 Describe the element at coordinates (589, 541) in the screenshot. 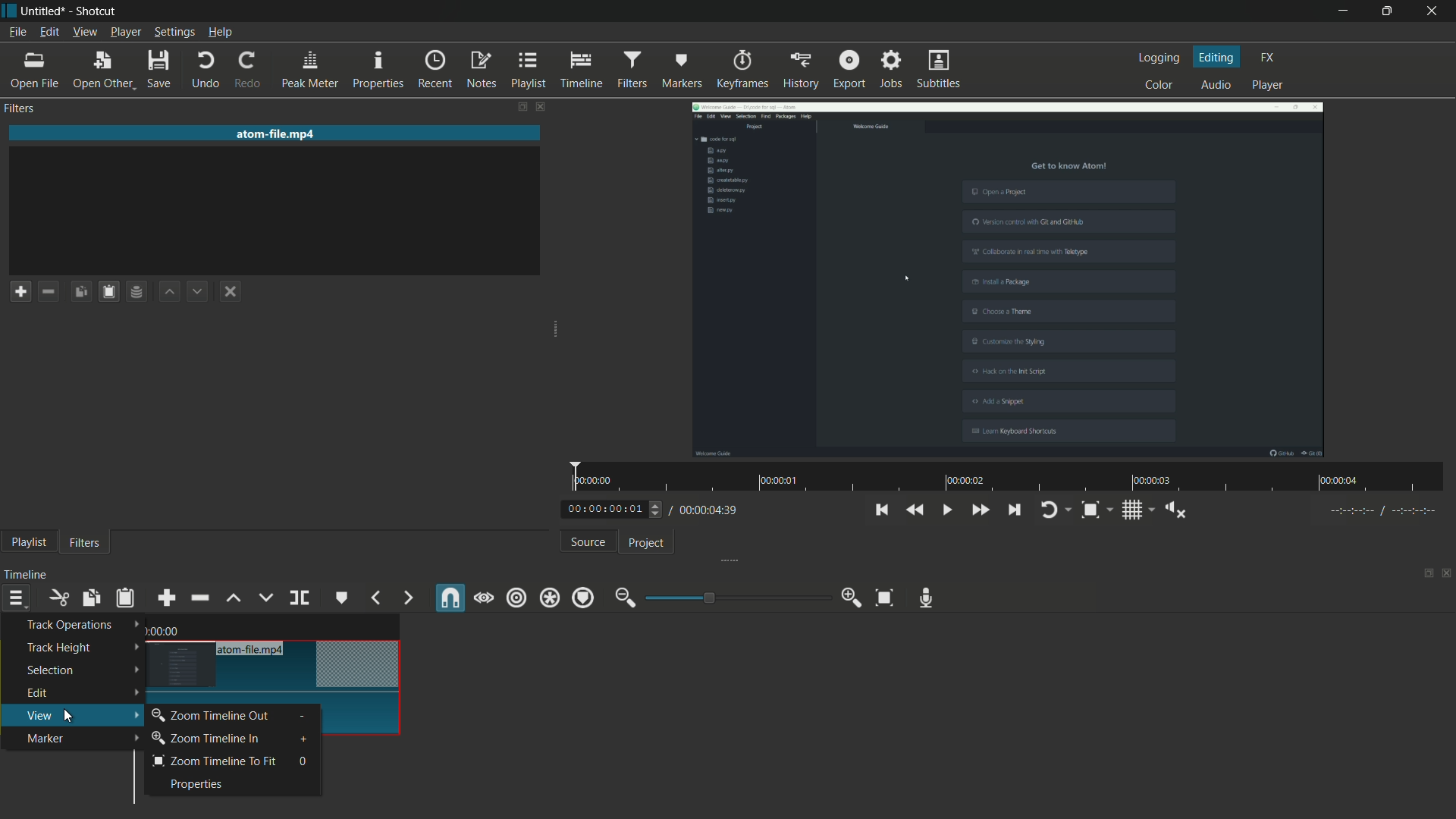

I see `source` at that location.